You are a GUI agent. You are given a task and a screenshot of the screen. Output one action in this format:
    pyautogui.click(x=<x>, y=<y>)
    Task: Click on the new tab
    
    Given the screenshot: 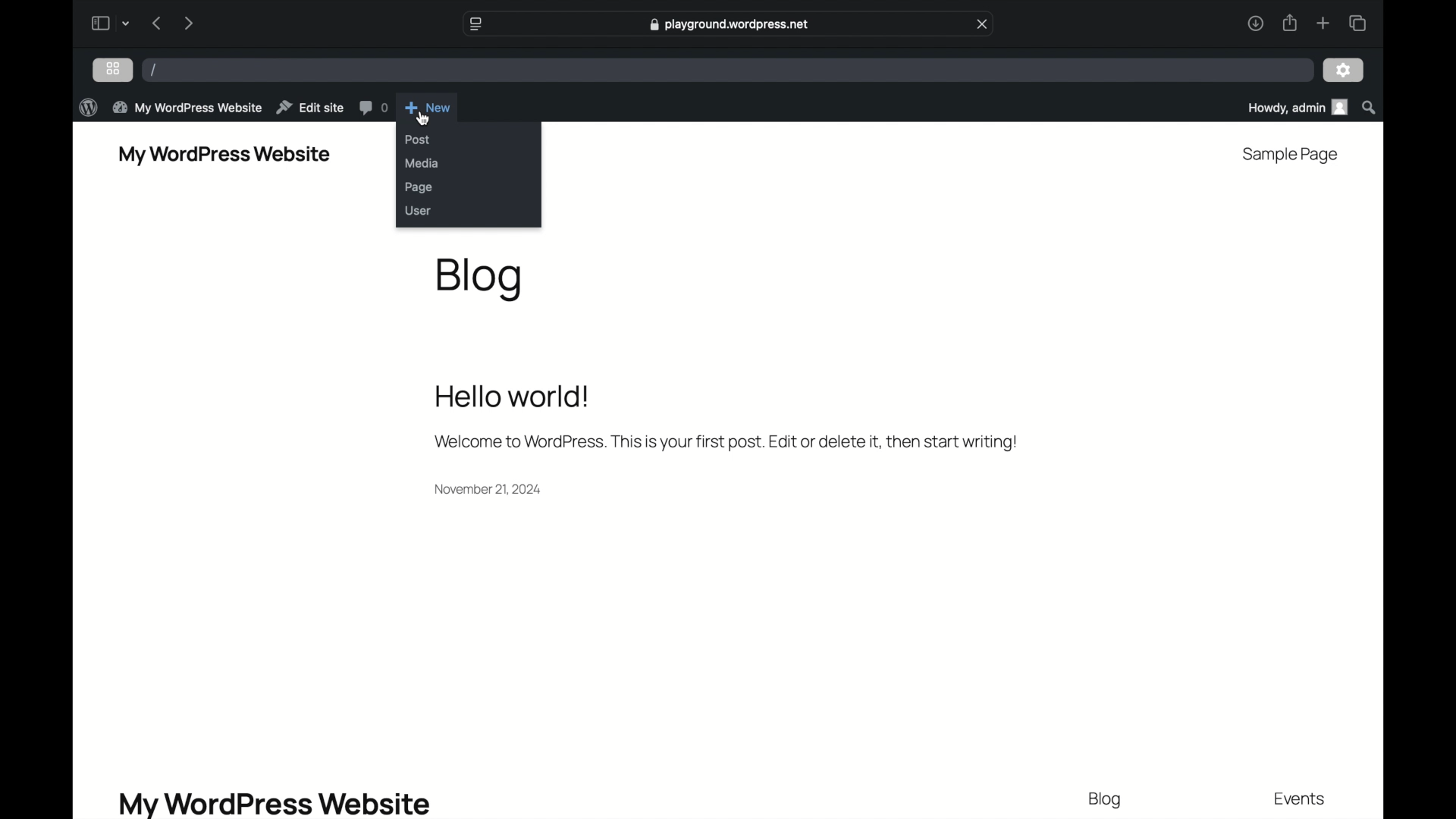 What is the action you would take?
    pyautogui.click(x=1323, y=23)
    